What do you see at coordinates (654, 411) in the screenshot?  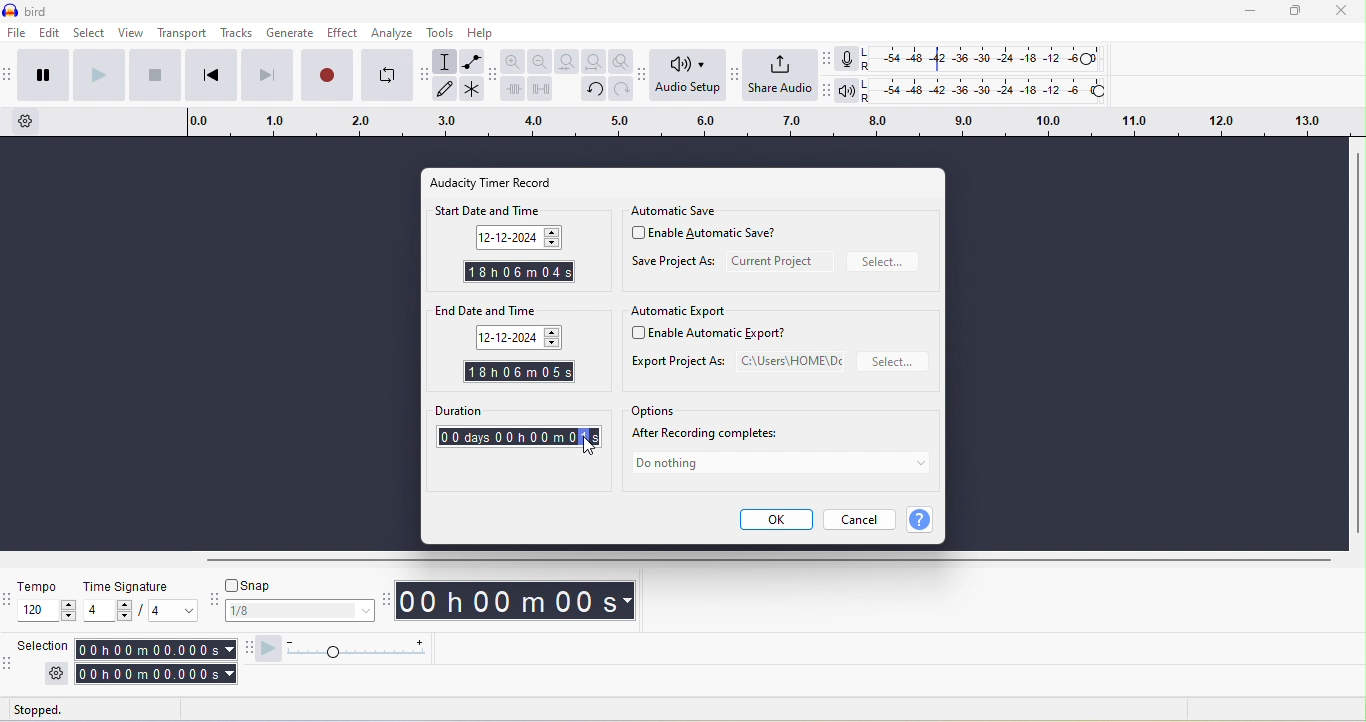 I see `options` at bounding box center [654, 411].